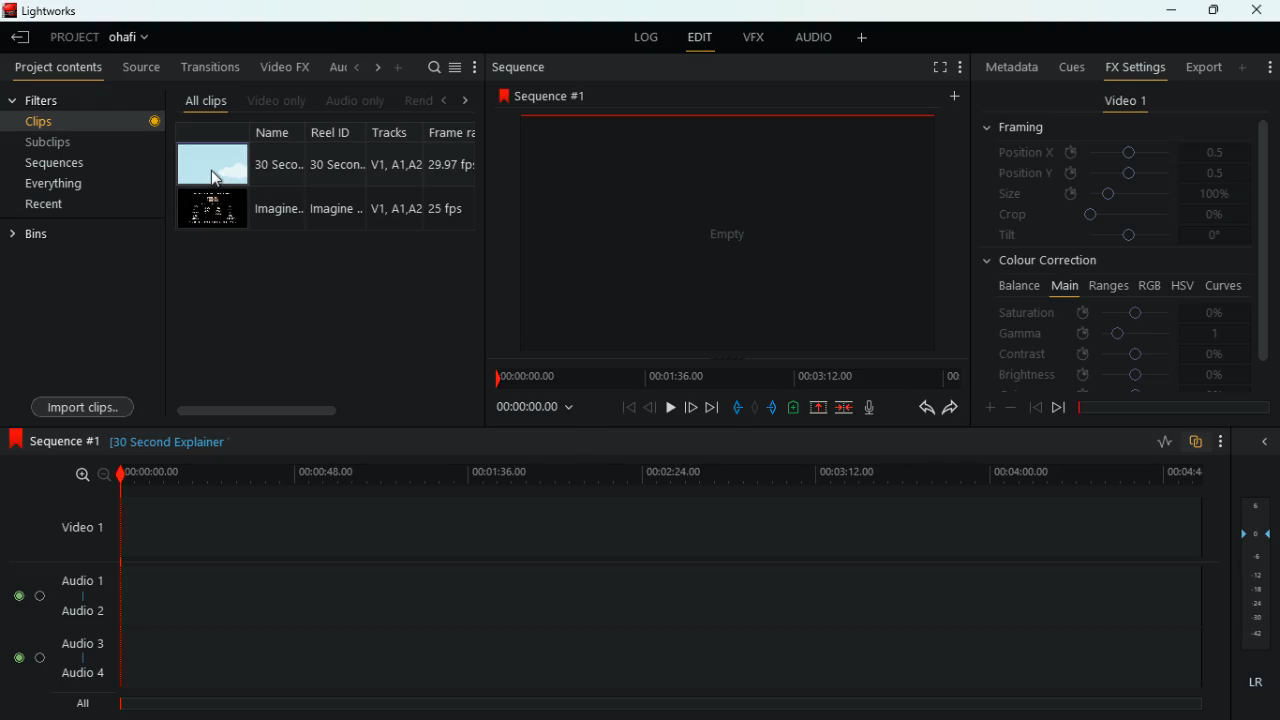 Image resolution: width=1280 pixels, height=720 pixels. I want to click on name, so click(276, 177).